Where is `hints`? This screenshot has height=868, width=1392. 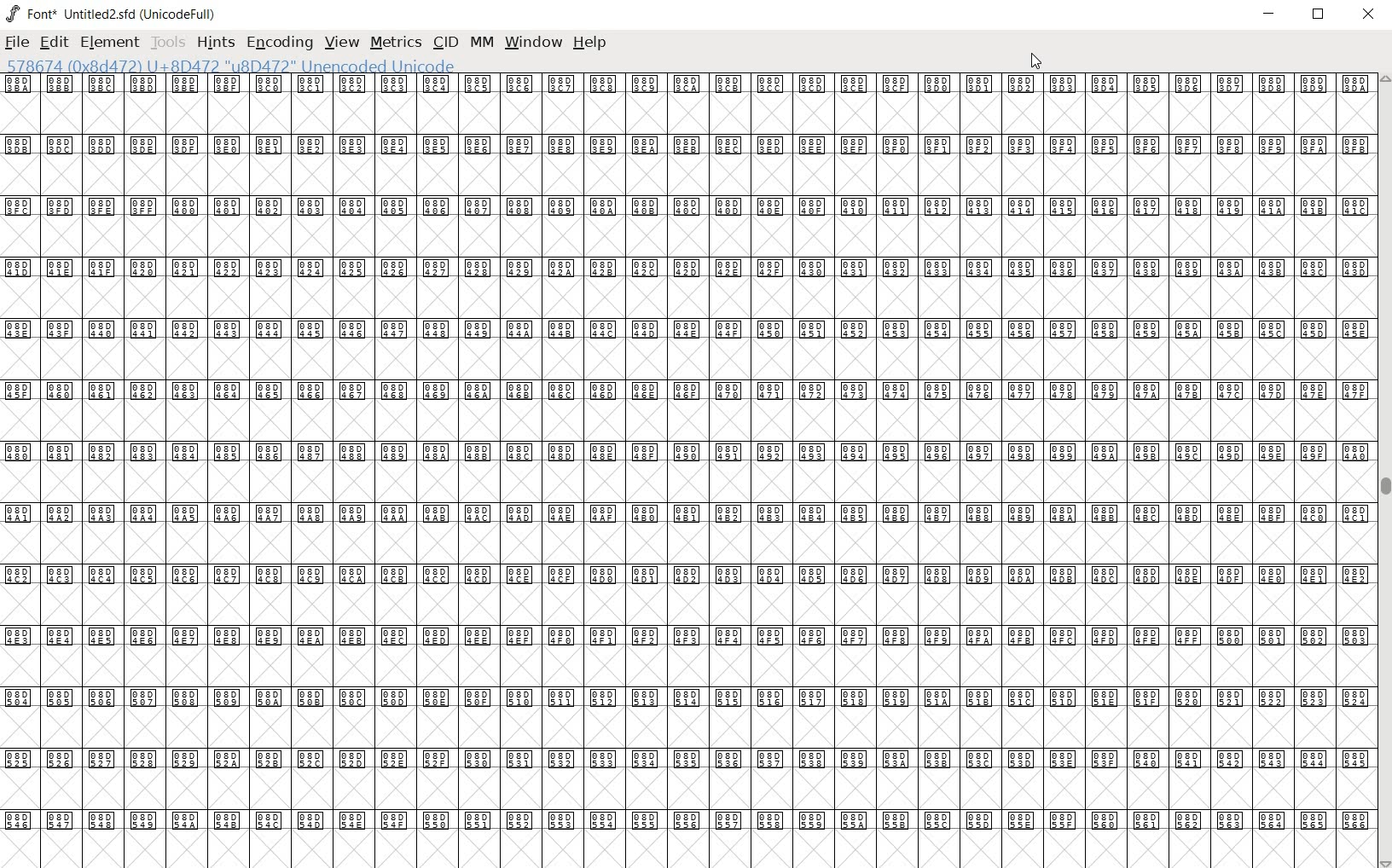 hints is located at coordinates (214, 44).